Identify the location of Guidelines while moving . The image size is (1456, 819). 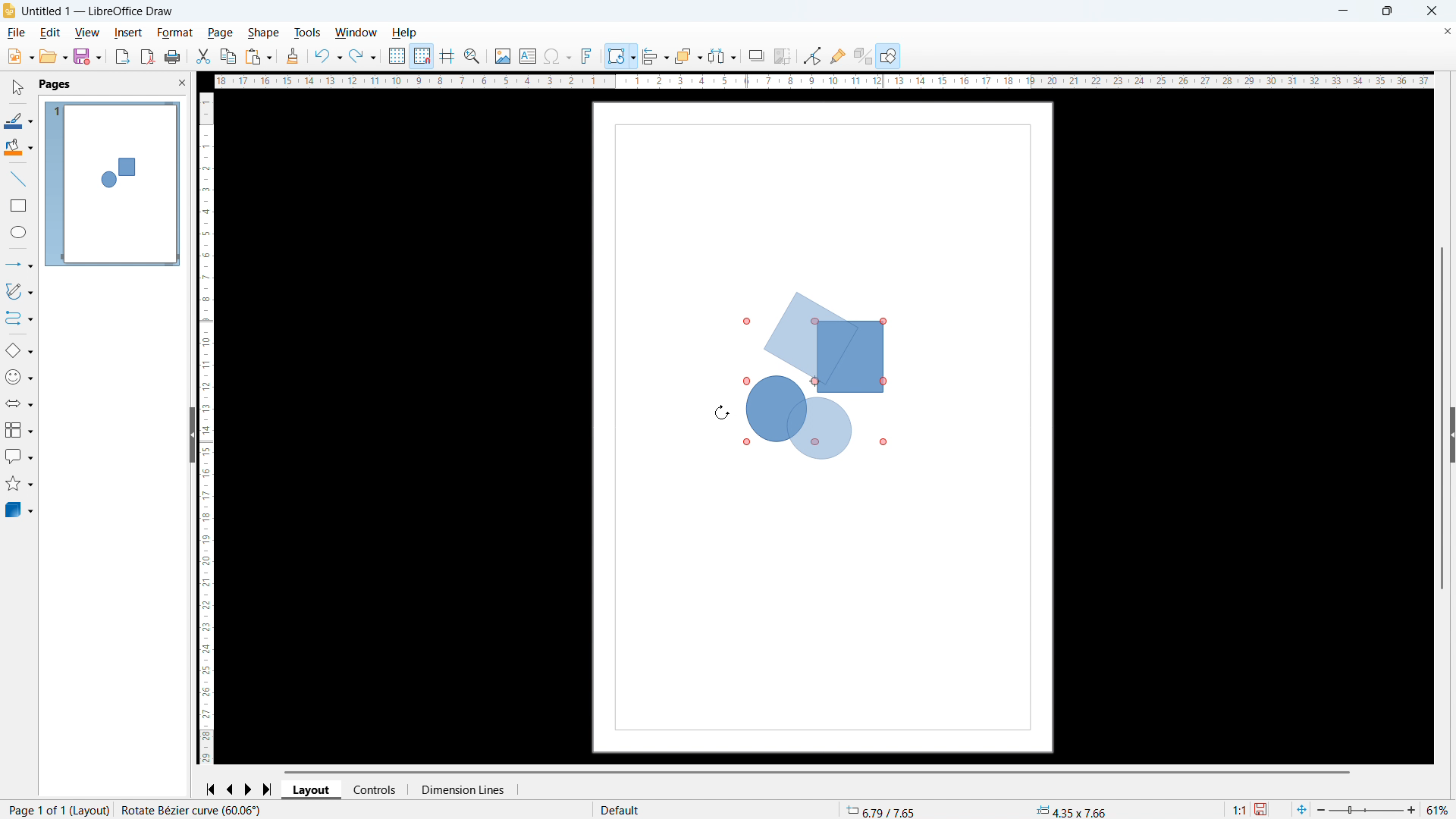
(448, 56).